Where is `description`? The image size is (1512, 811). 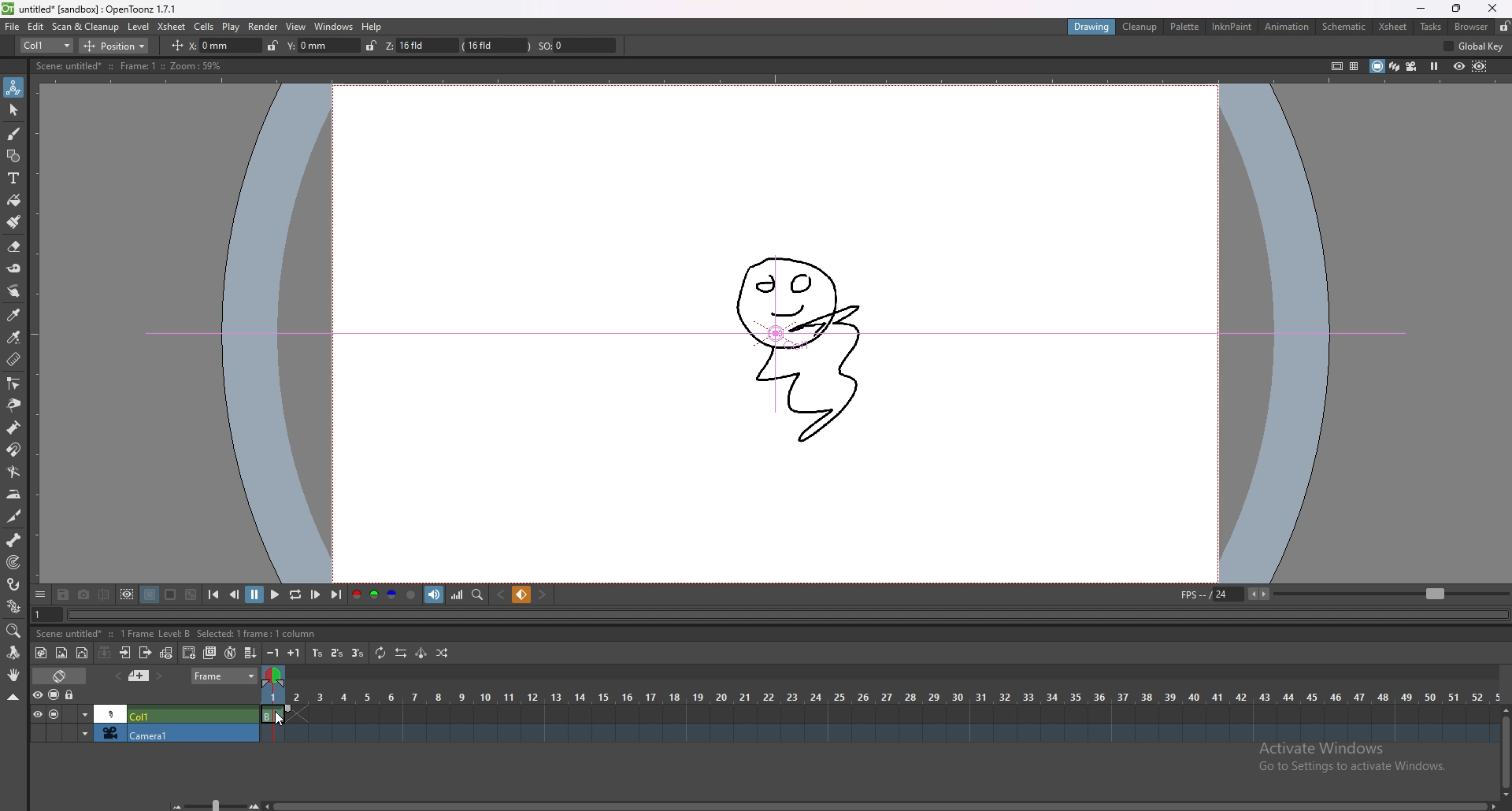 description is located at coordinates (117, 632).